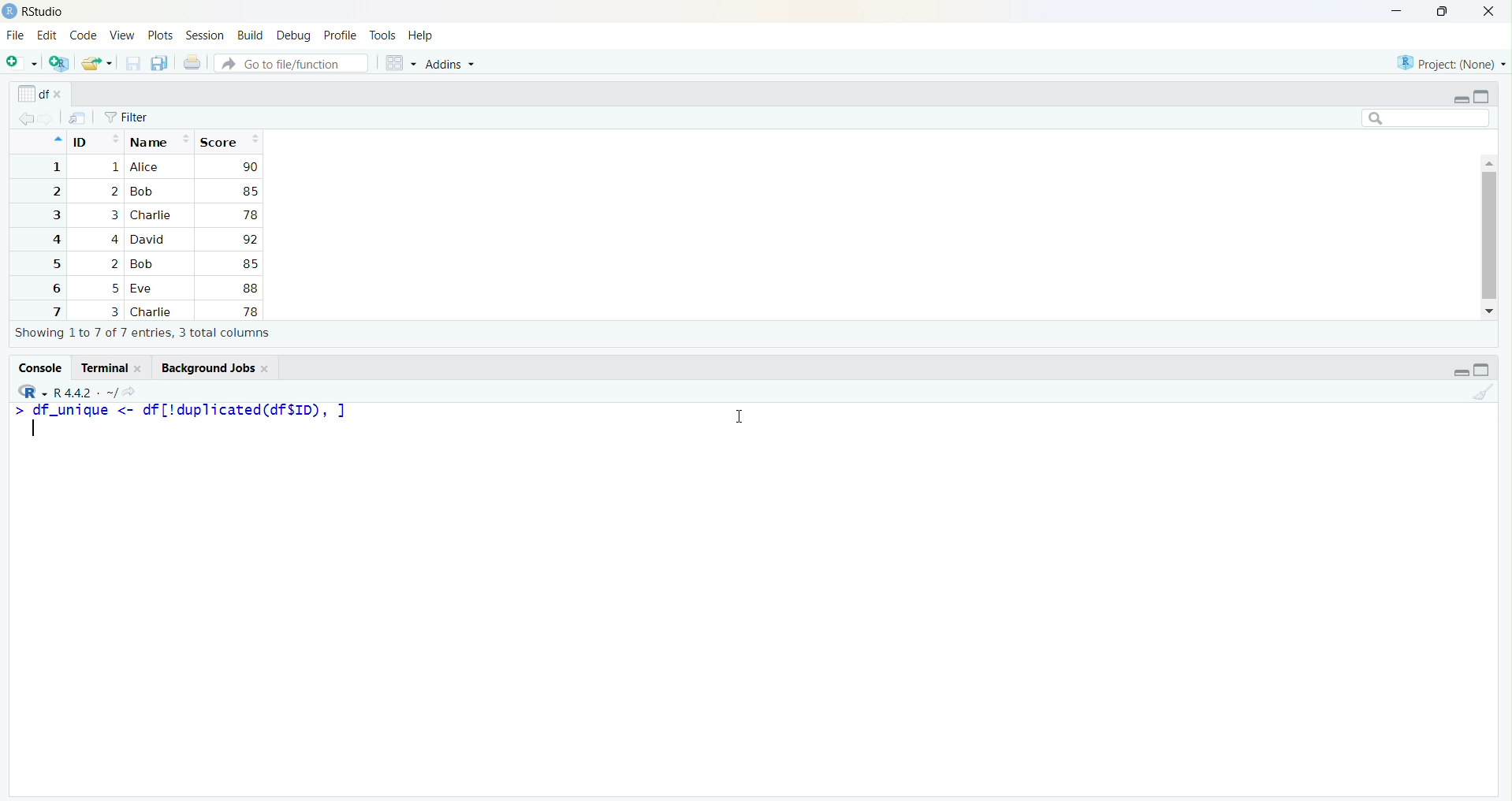 The width and height of the screenshot is (1512, 801). I want to click on maximize, so click(1482, 96).